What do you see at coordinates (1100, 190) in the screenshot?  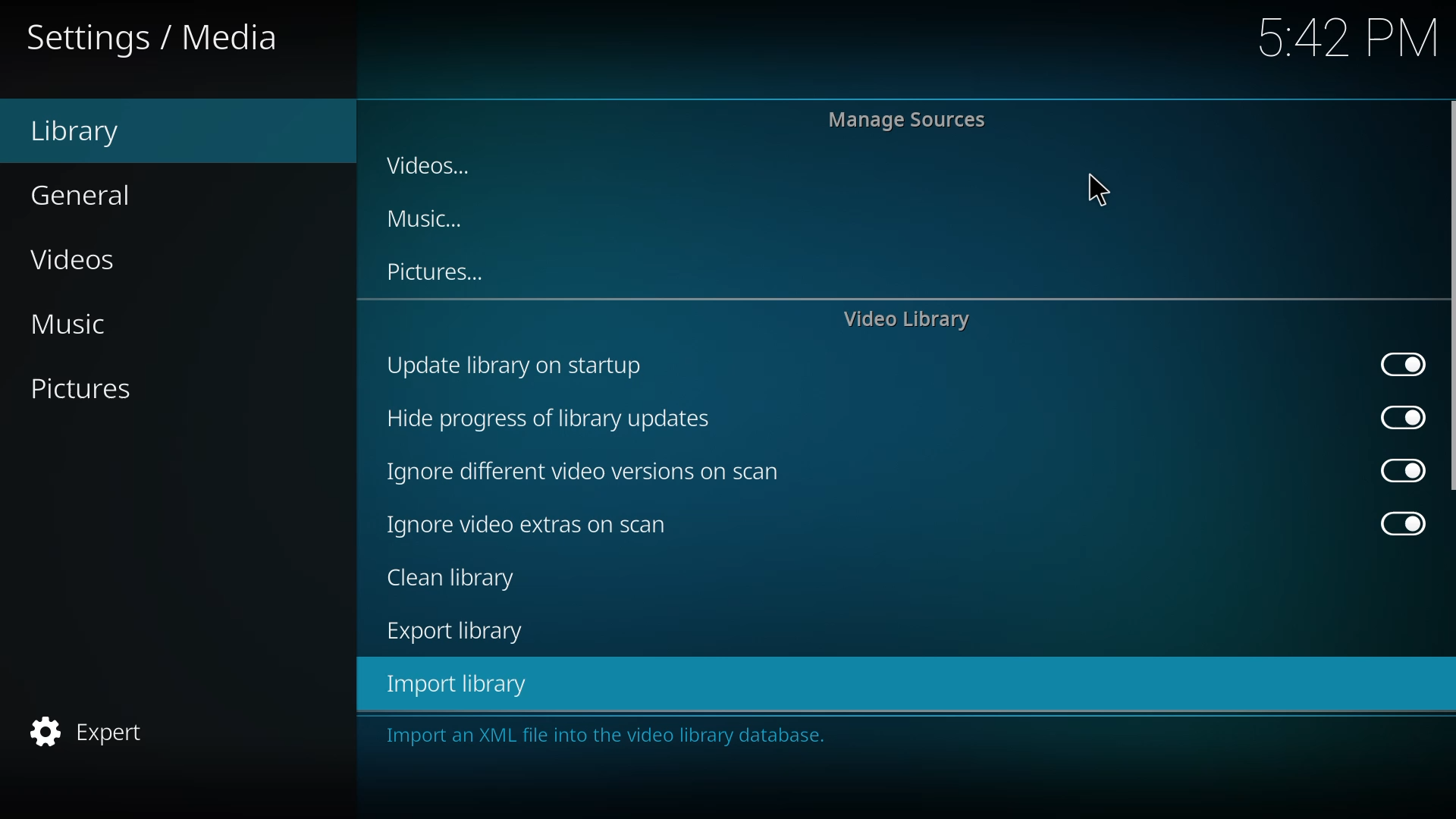 I see `cursor` at bounding box center [1100, 190].